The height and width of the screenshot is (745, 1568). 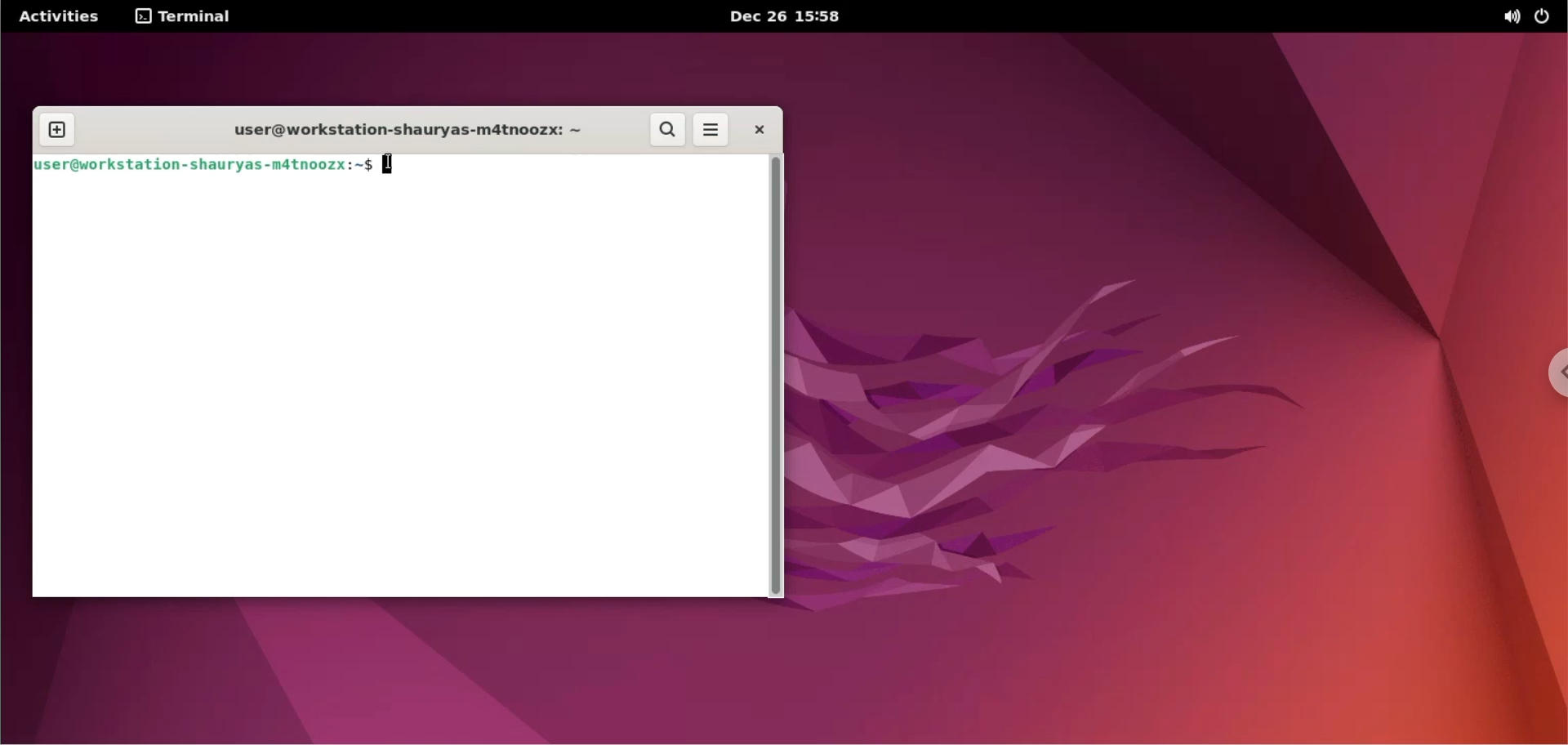 What do you see at coordinates (776, 377) in the screenshot?
I see `scrollbar` at bounding box center [776, 377].